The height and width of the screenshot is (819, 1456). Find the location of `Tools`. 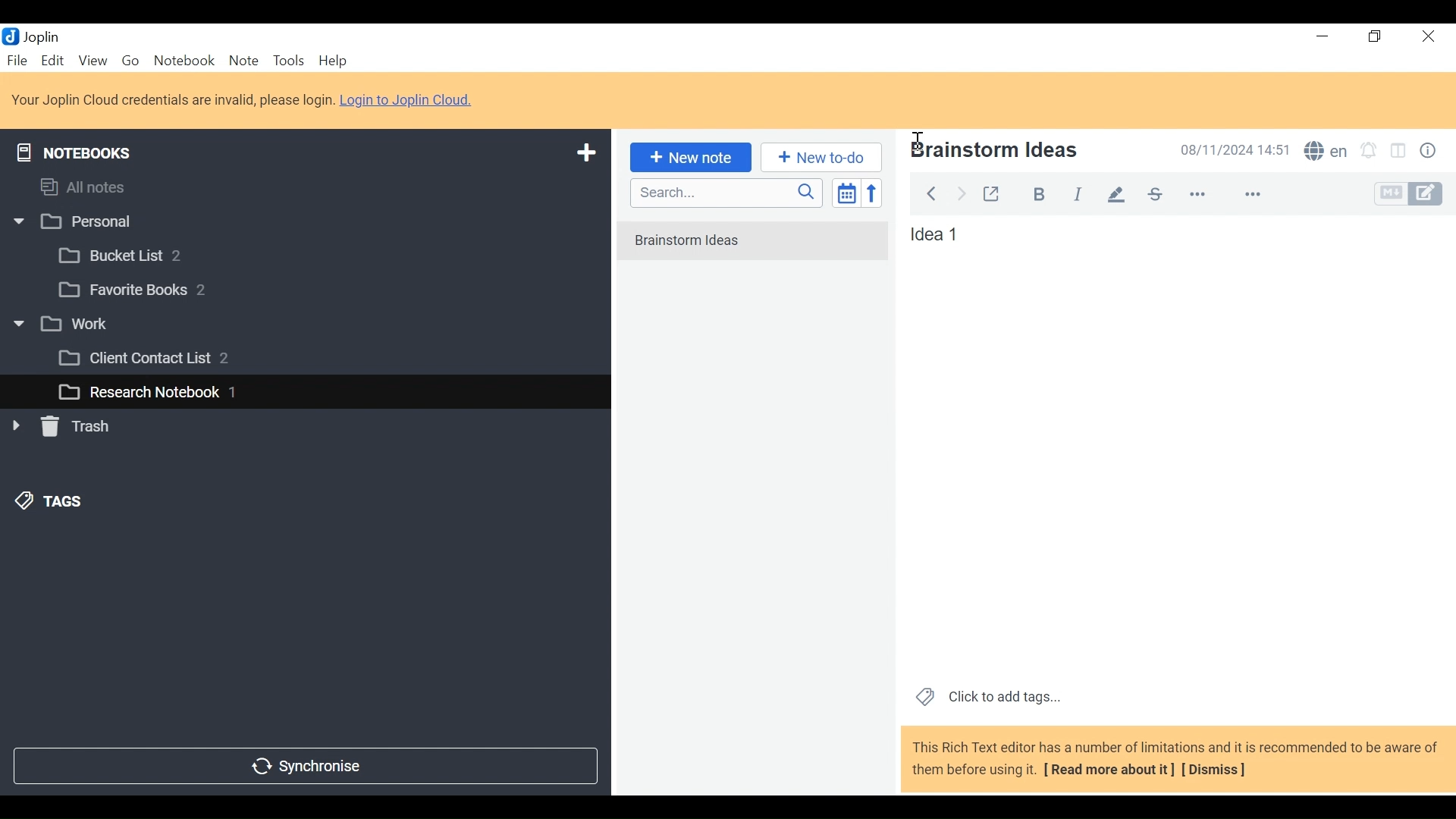

Tools is located at coordinates (287, 61).